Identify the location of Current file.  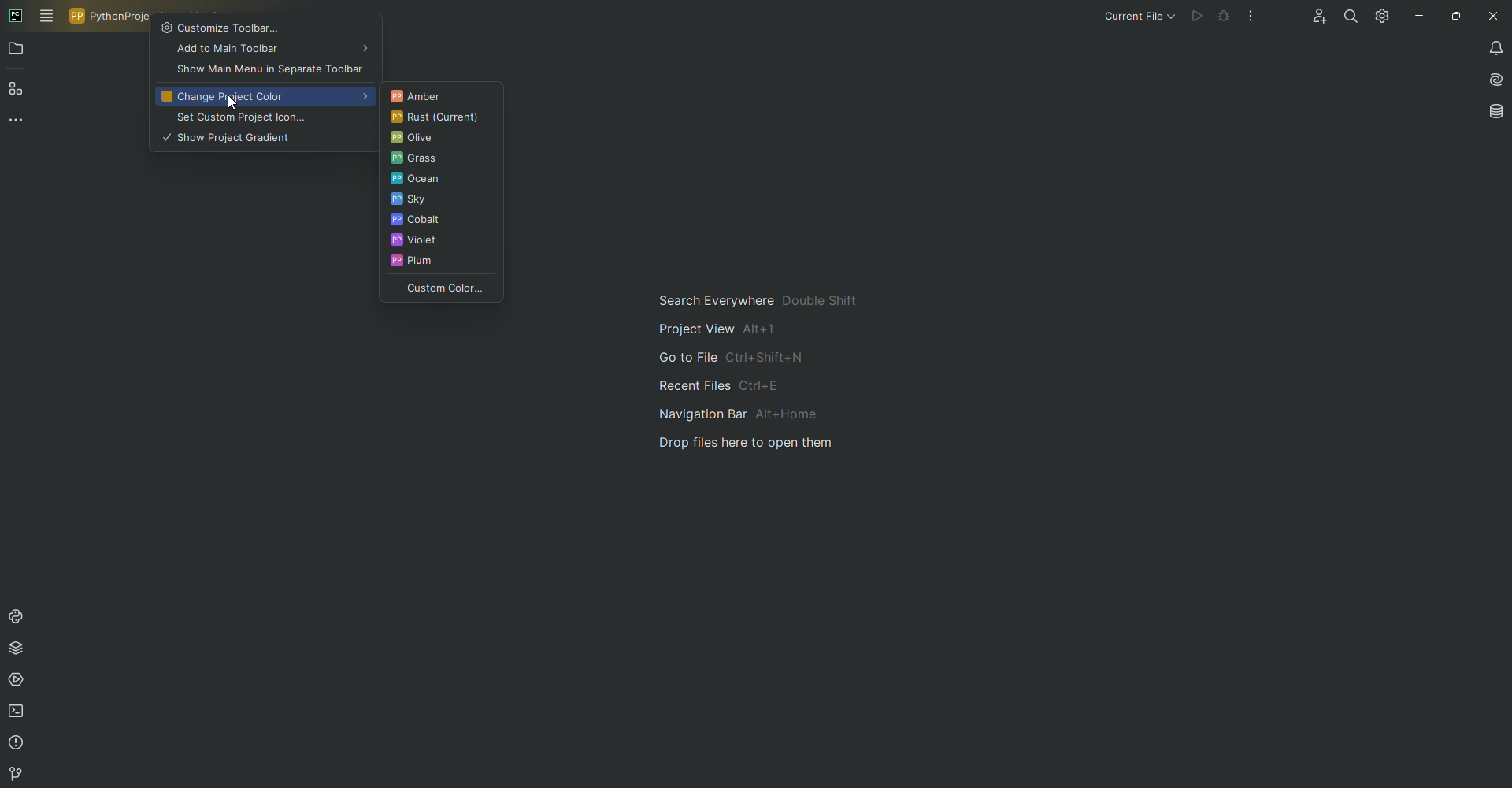
(1138, 17).